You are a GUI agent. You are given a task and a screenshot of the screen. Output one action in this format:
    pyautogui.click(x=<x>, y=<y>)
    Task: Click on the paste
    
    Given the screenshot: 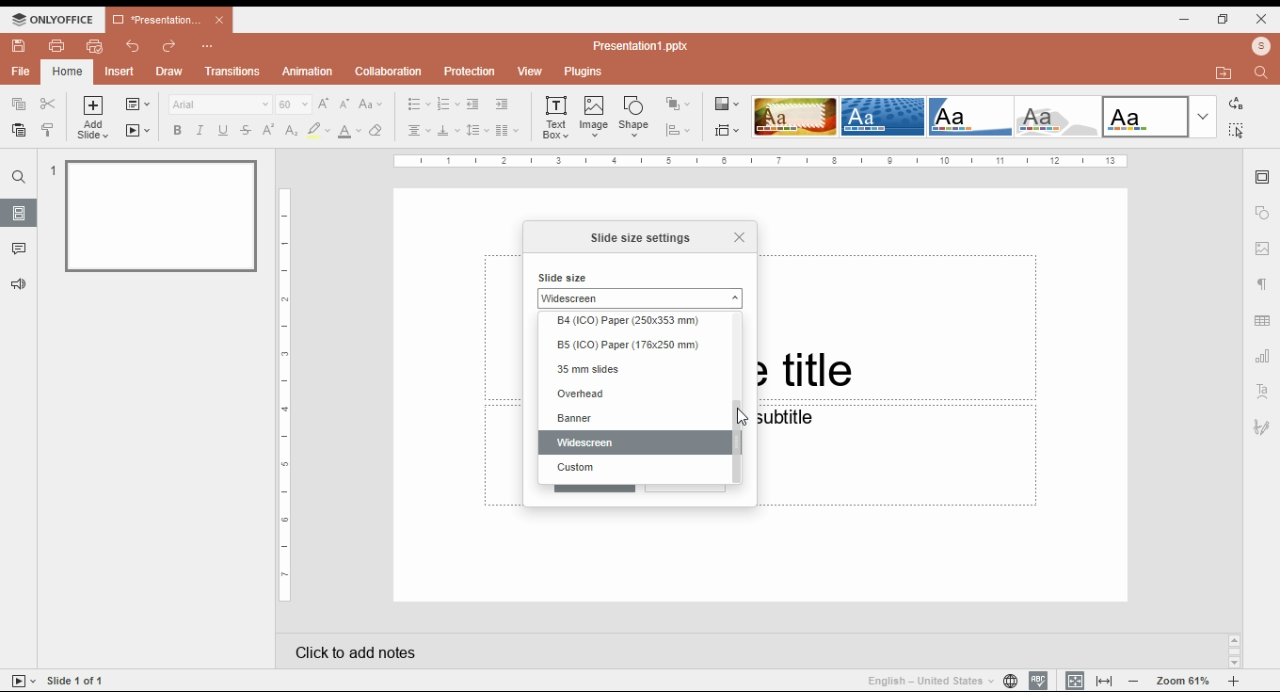 What is the action you would take?
    pyautogui.click(x=17, y=130)
    